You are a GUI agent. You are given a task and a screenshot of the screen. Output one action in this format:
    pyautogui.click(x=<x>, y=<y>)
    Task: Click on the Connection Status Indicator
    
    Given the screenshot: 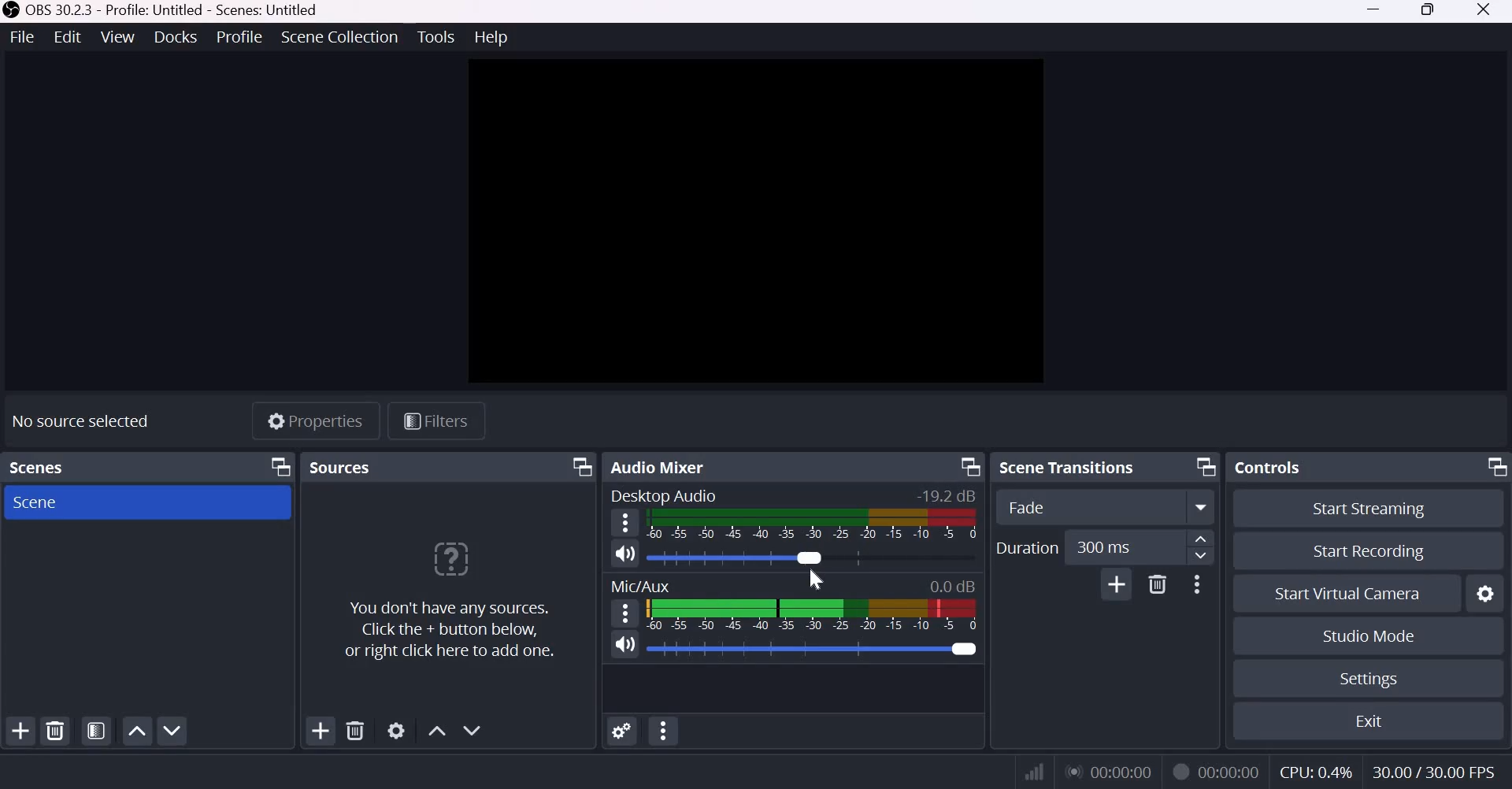 What is the action you would take?
    pyautogui.click(x=1036, y=771)
    